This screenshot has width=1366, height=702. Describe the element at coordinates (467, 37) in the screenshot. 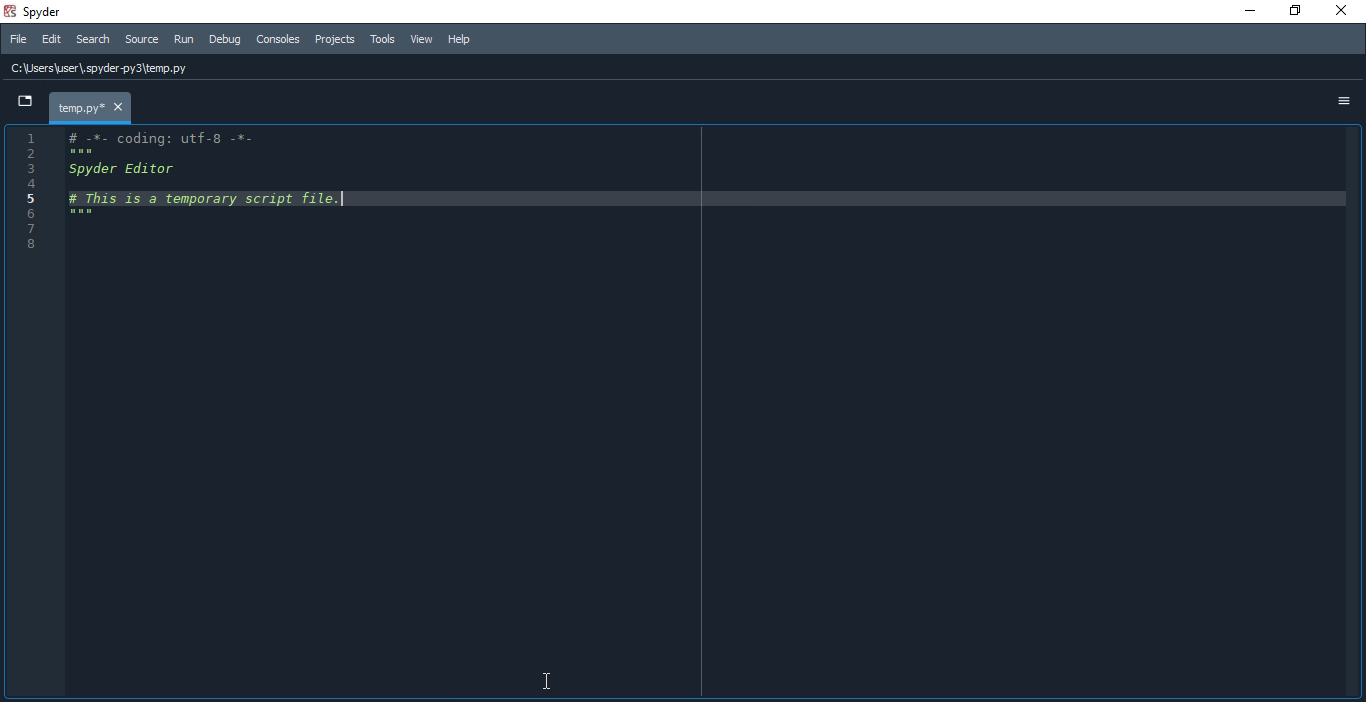

I see `Help` at that location.